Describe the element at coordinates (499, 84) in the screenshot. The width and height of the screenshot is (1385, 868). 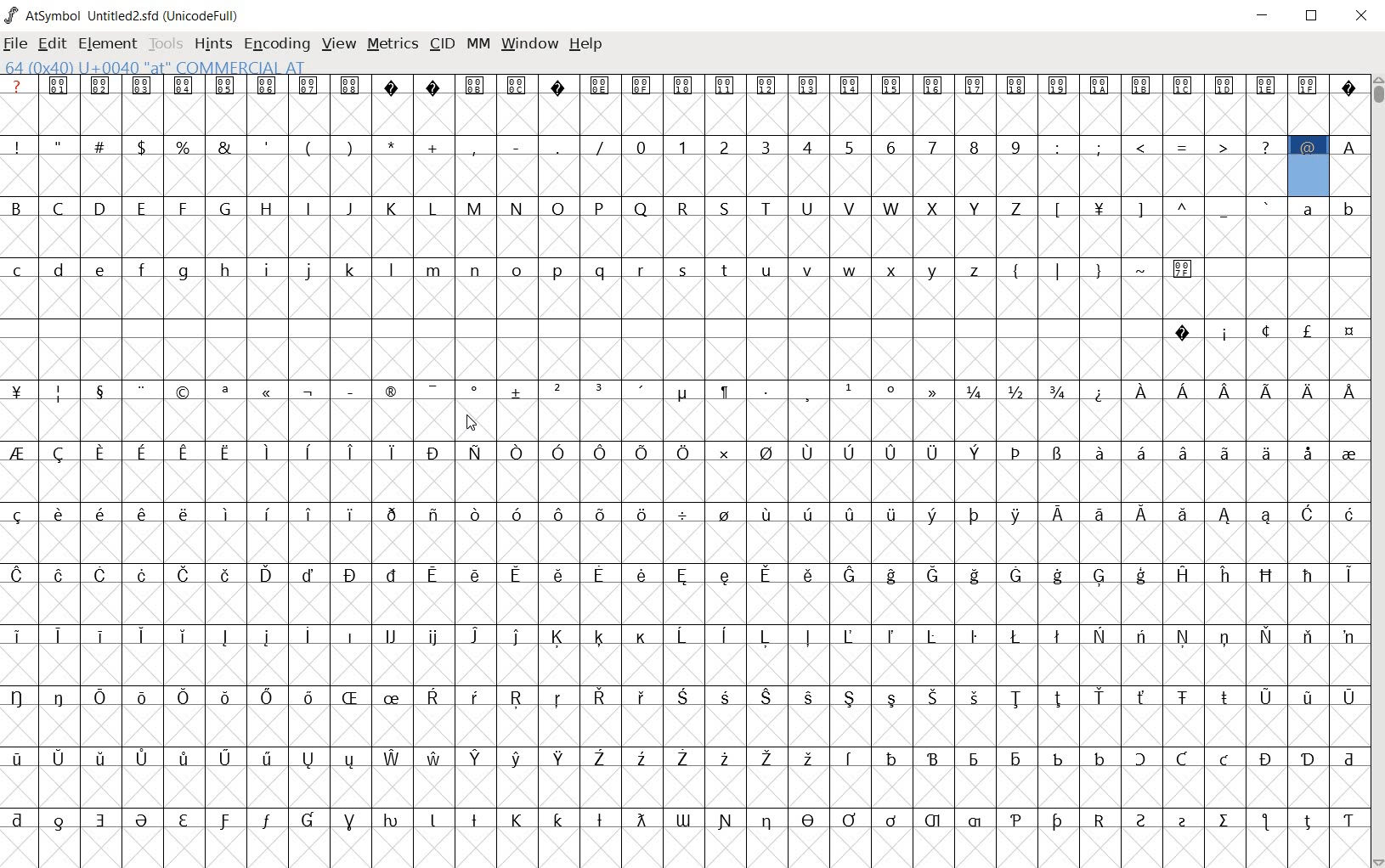
I see `unicode code points` at that location.